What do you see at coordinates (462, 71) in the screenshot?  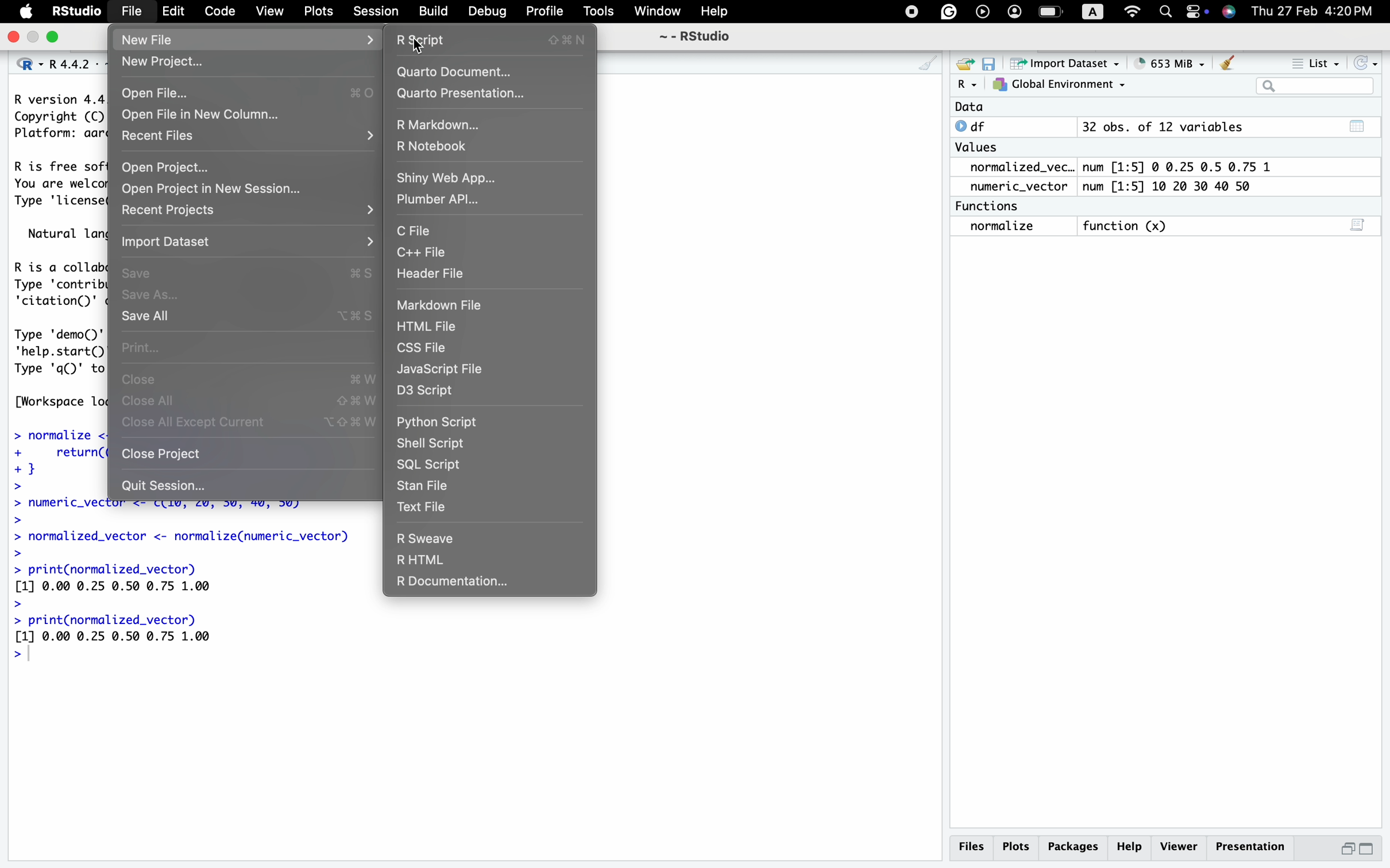 I see `Quarto Document` at bounding box center [462, 71].